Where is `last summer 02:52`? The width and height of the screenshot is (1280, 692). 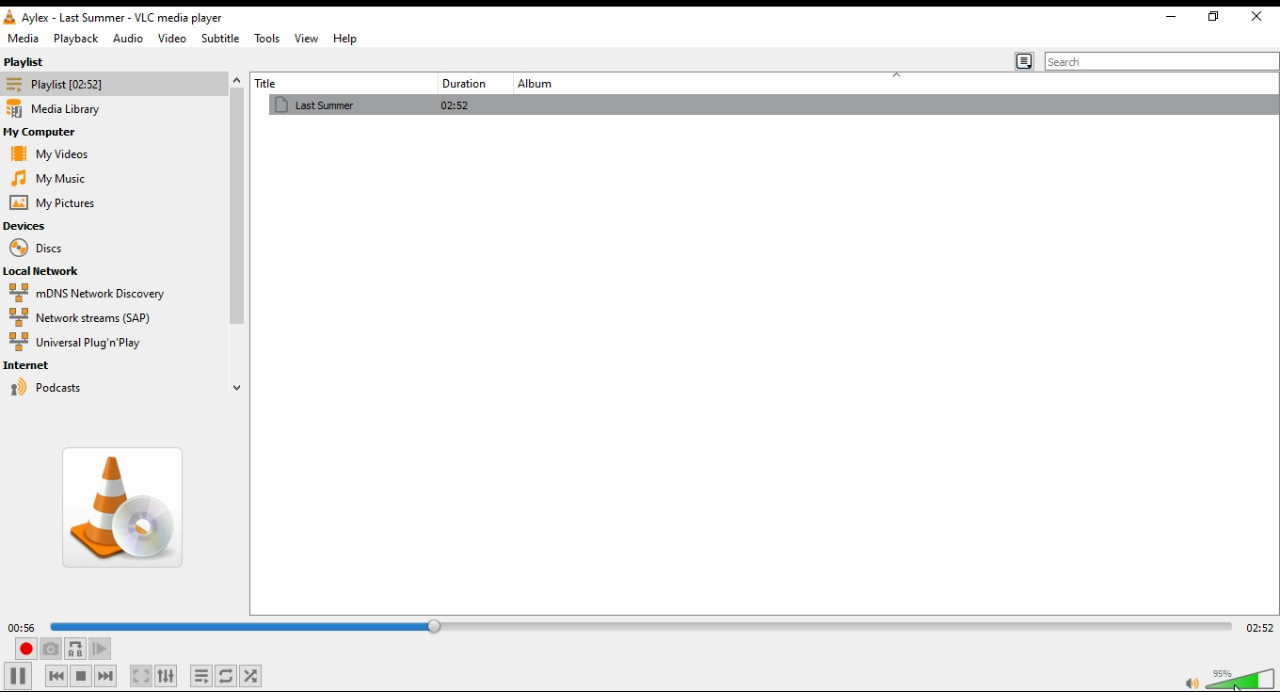 last summer 02:52 is located at coordinates (457, 107).